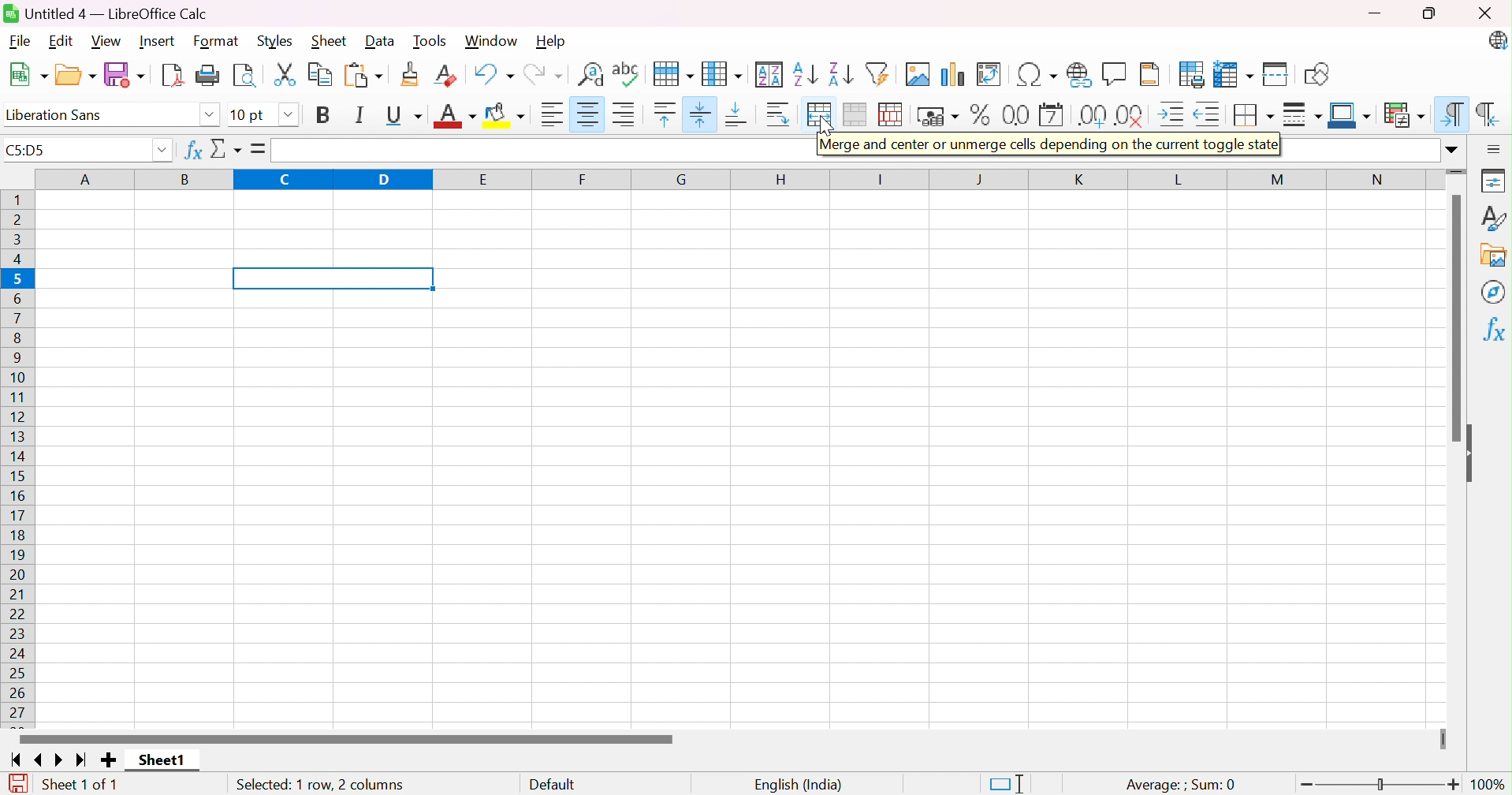  What do you see at coordinates (1035, 74) in the screenshot?
I see `Insert Special Characters` at bounding box center [1035, 74].